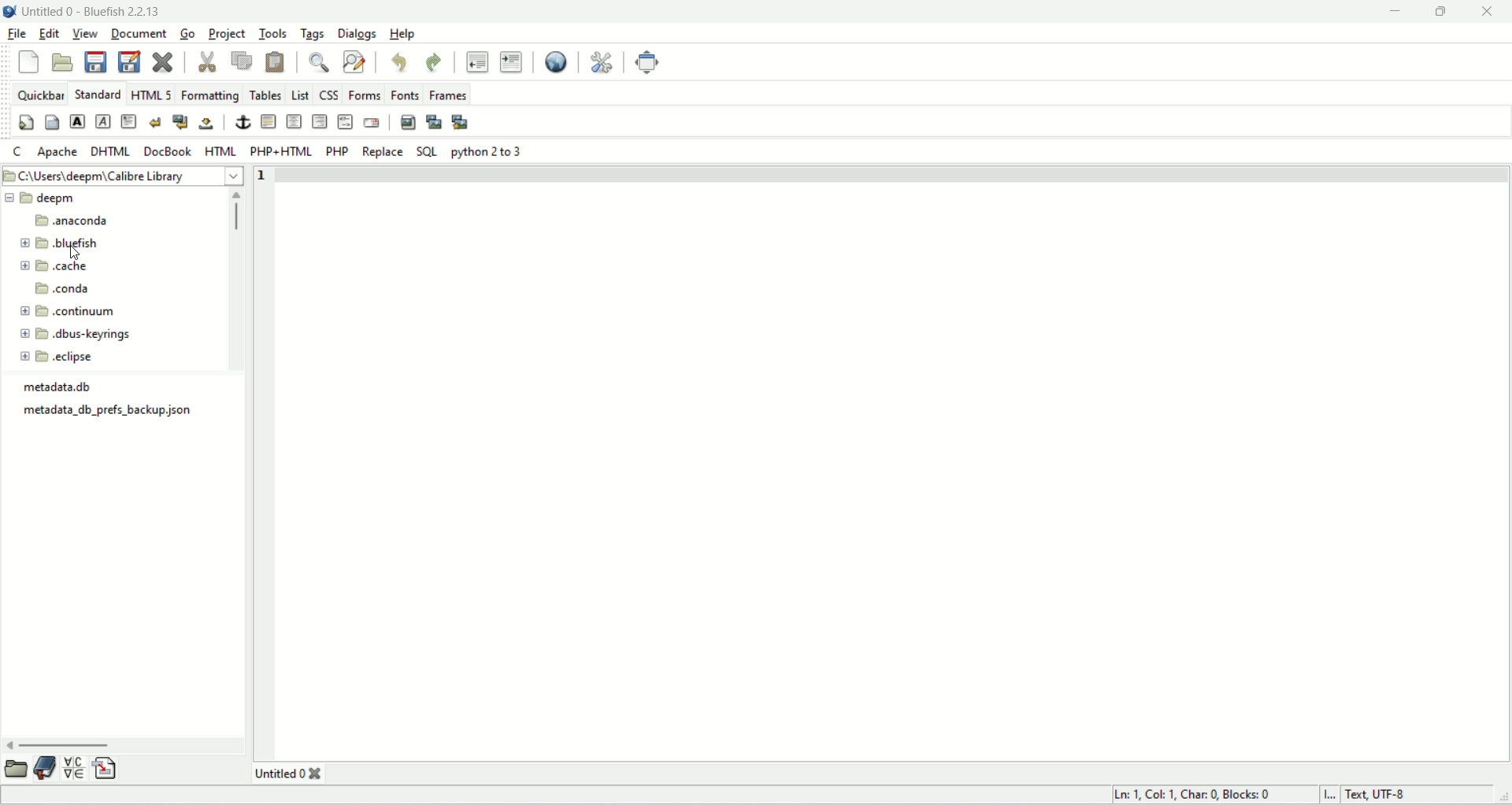 The height and width of the screenshot is (805, 1512). What do you see at coordinates (292, 121) in the screenshot?
I see `center` at bounding box center [292, 121].